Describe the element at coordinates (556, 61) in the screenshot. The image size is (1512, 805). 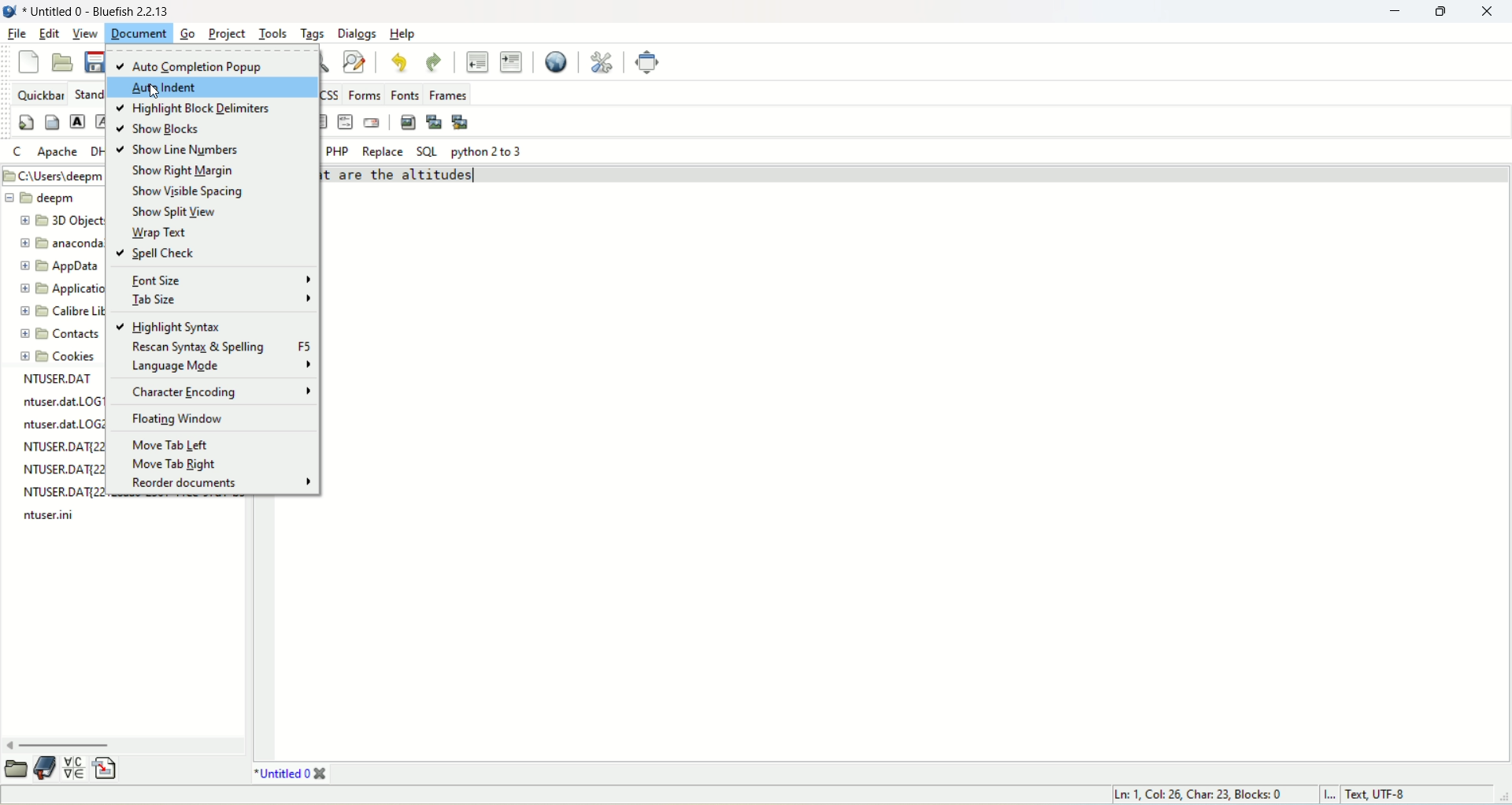
I see `preview in browser` at that location.